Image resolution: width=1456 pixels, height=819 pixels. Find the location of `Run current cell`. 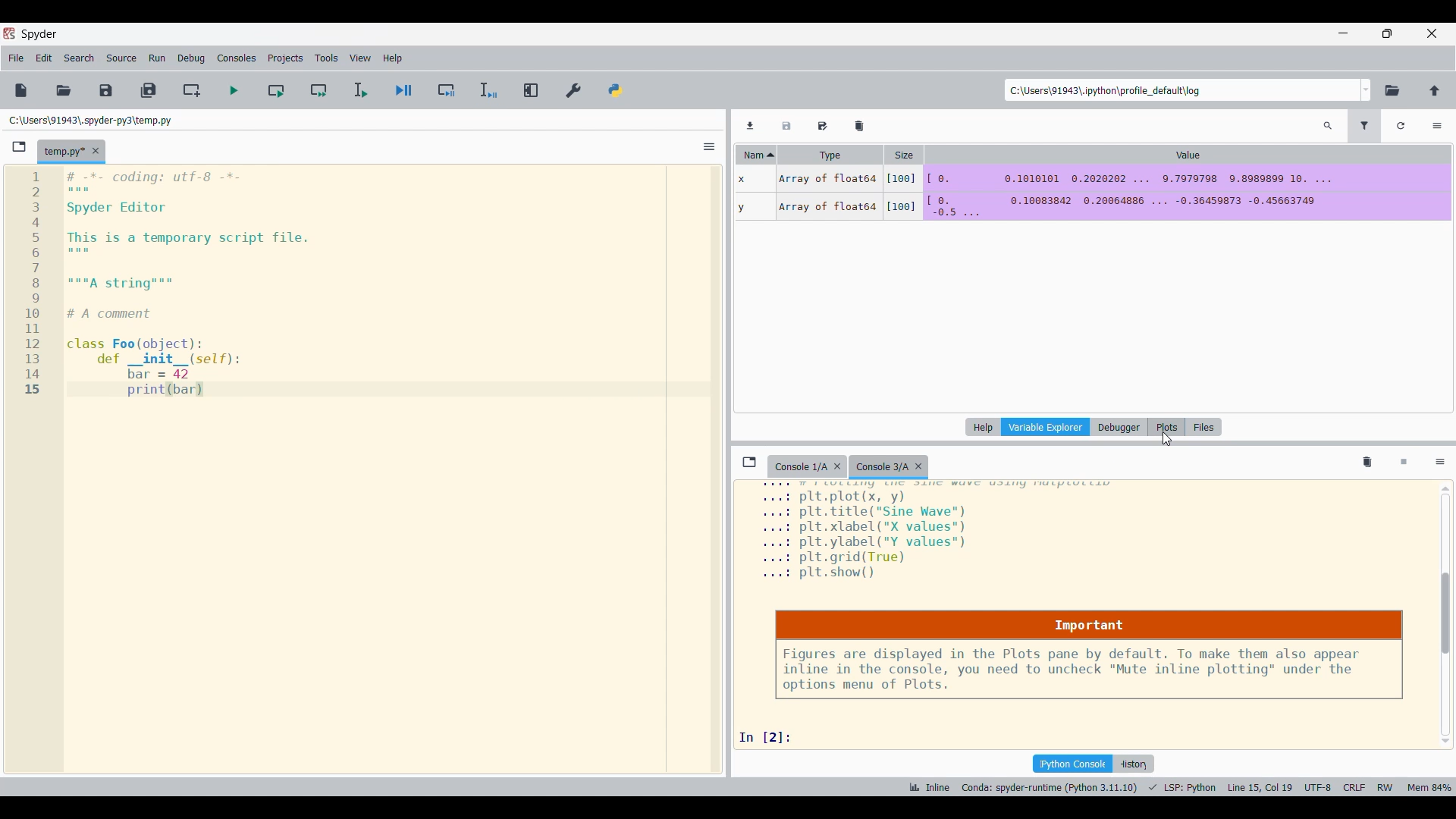

Run current cell is located at coordinates (276, 90).